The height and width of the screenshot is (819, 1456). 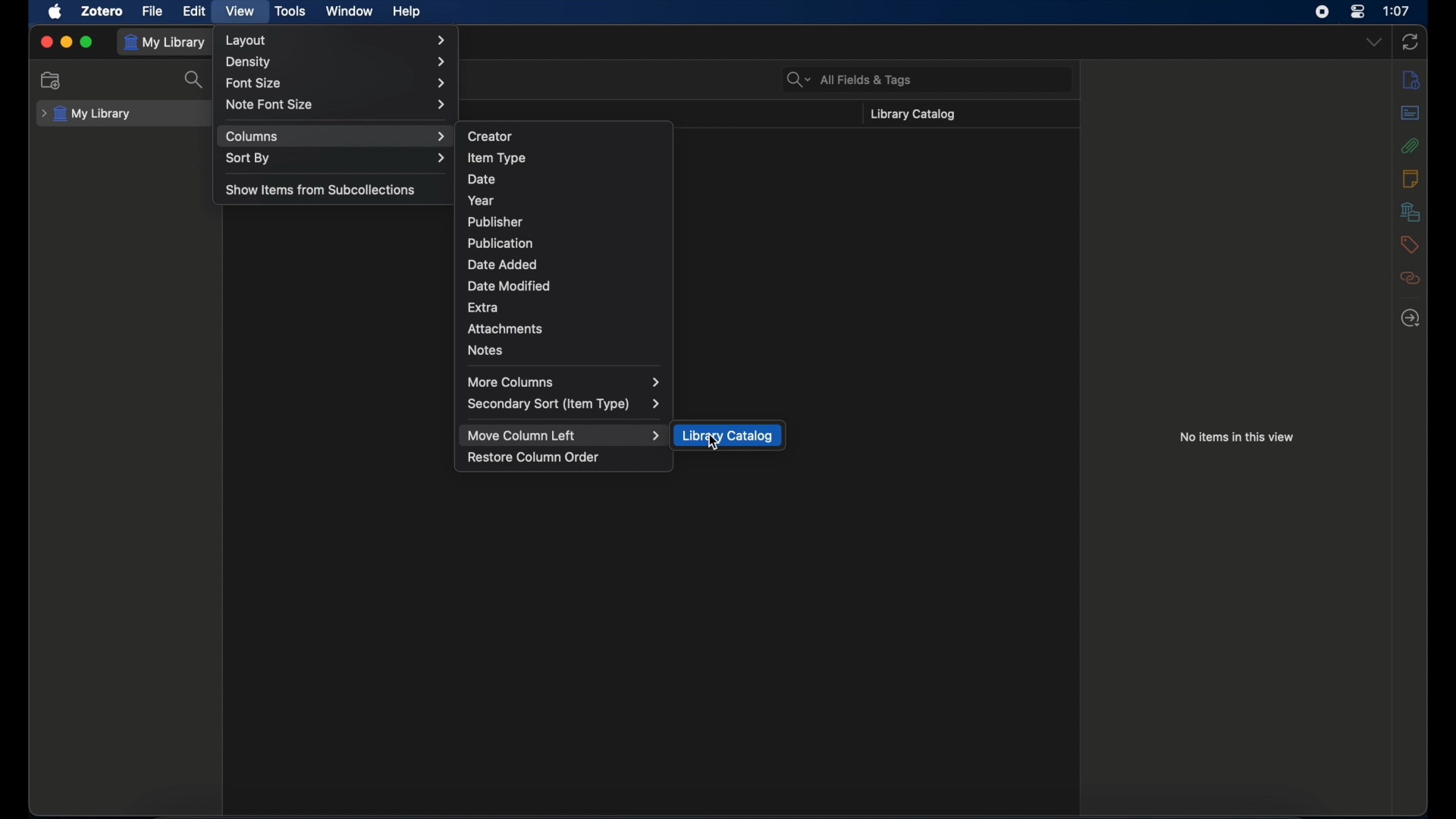 I want to click on info, so click(x=1411, y=80).